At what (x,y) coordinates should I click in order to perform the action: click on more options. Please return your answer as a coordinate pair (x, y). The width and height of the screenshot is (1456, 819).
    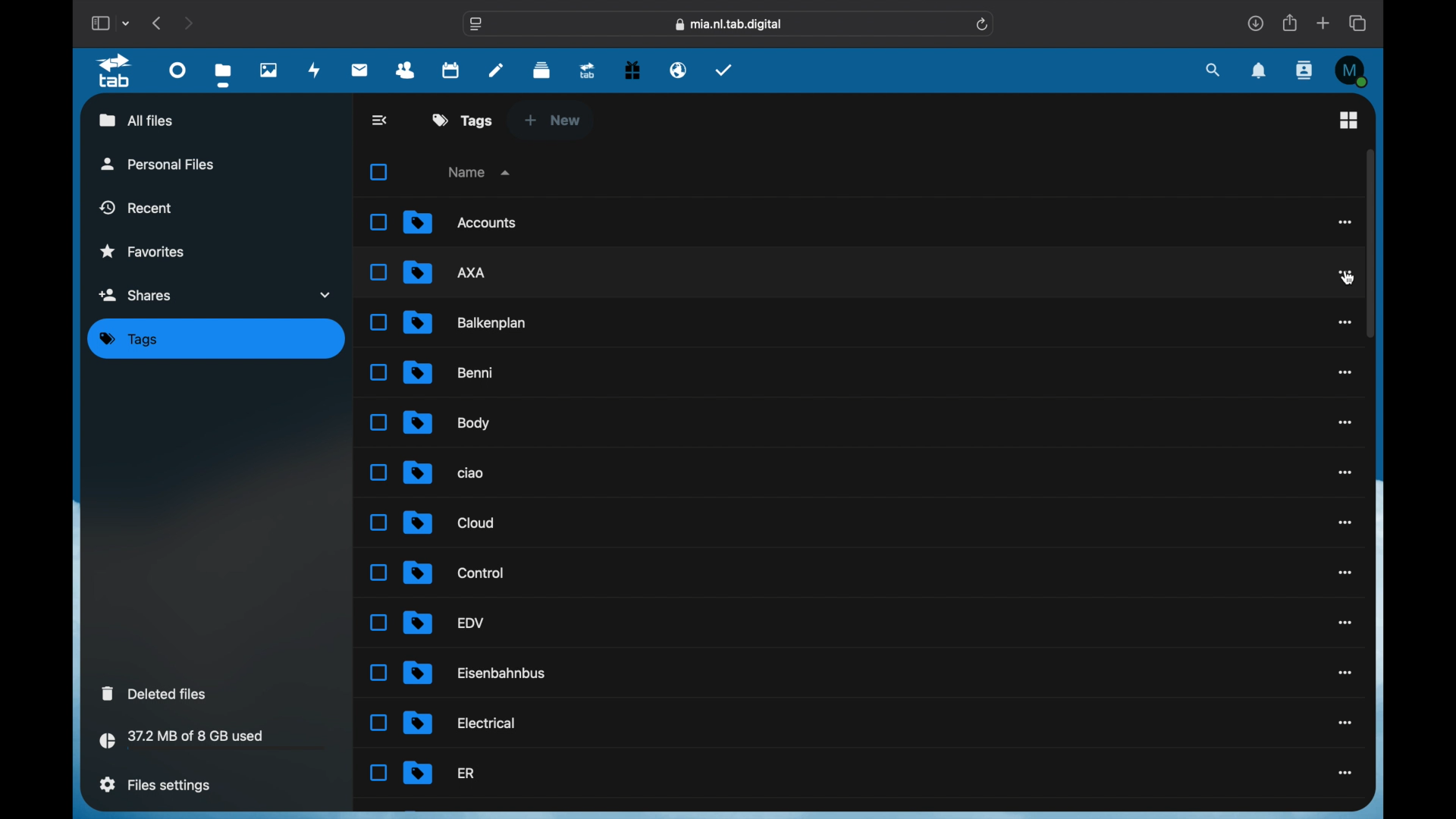
    Looking at the image, I should click on (1346, 572).